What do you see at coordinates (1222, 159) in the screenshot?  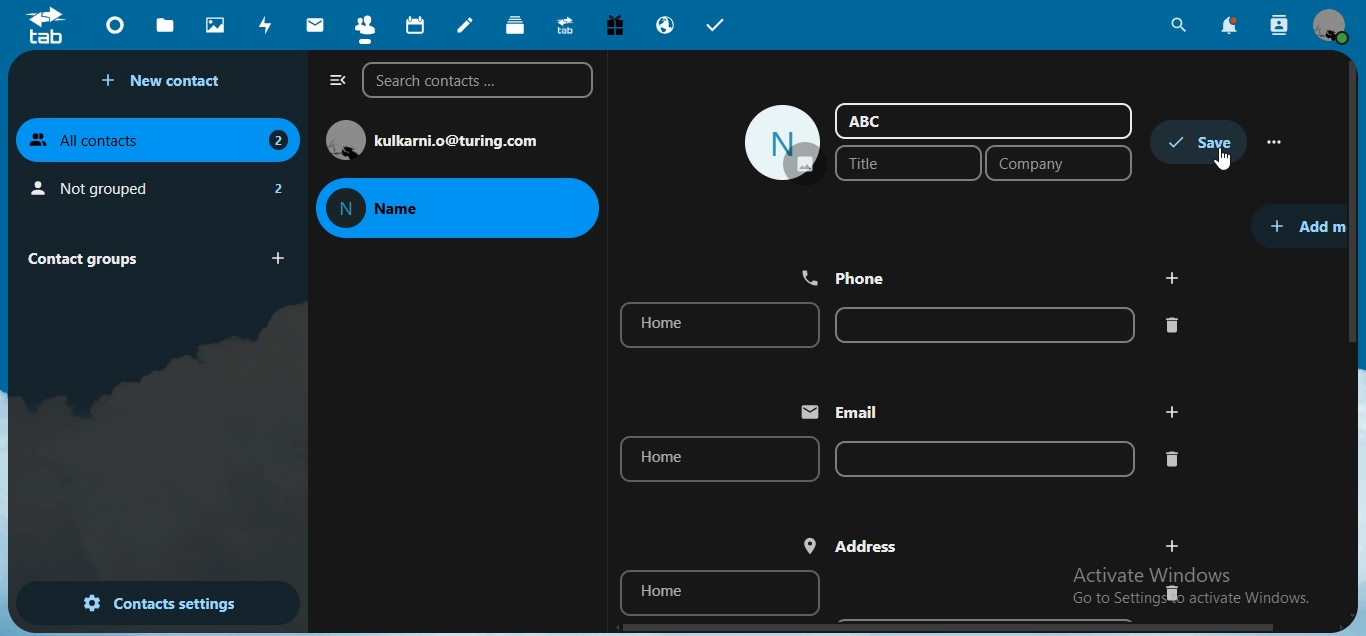 I see `cursor` at bounding box center [1222, 159].